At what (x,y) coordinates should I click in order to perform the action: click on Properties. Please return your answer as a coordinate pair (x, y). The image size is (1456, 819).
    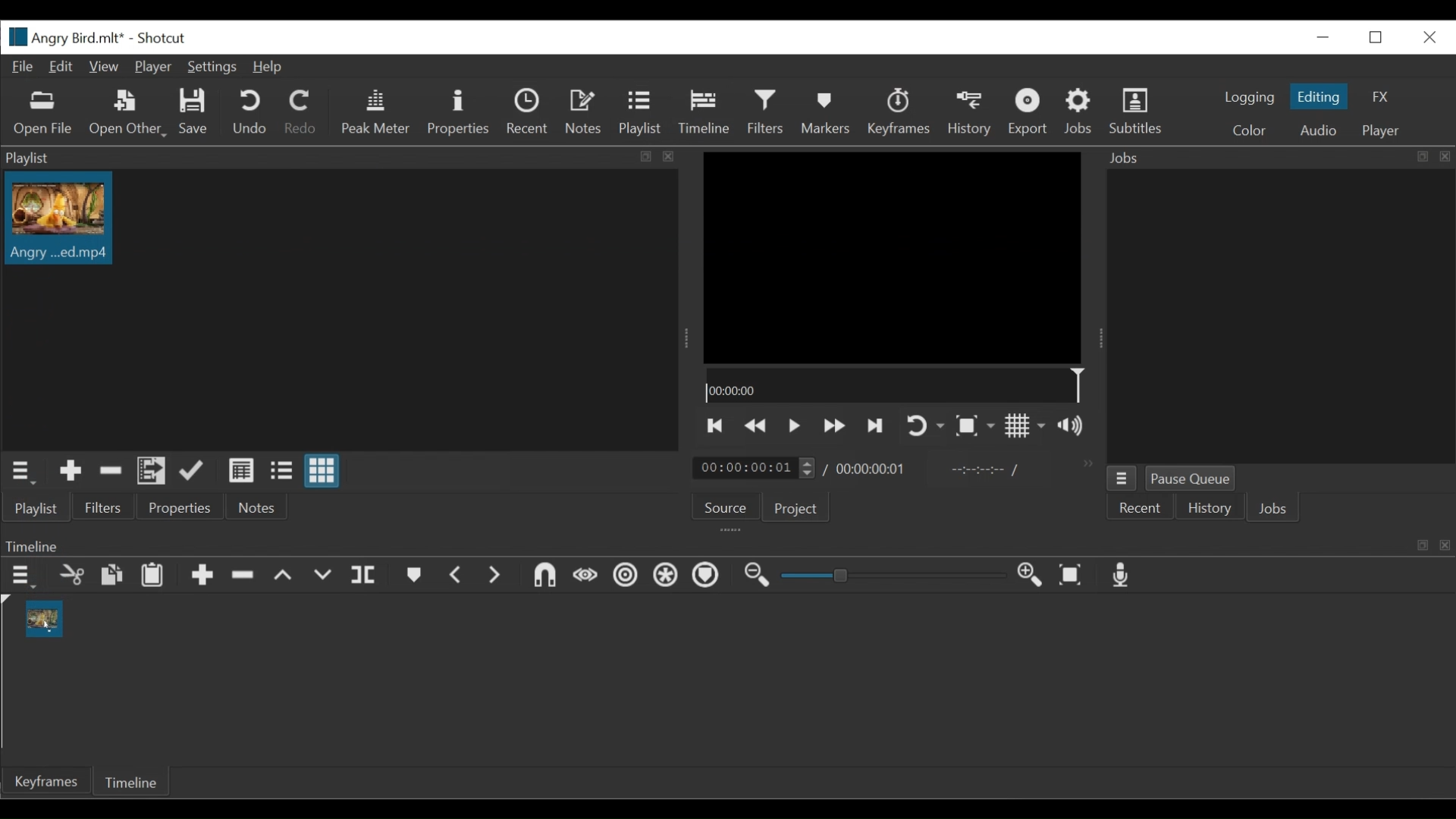
    Looking at the image, I should click on (457, 113).